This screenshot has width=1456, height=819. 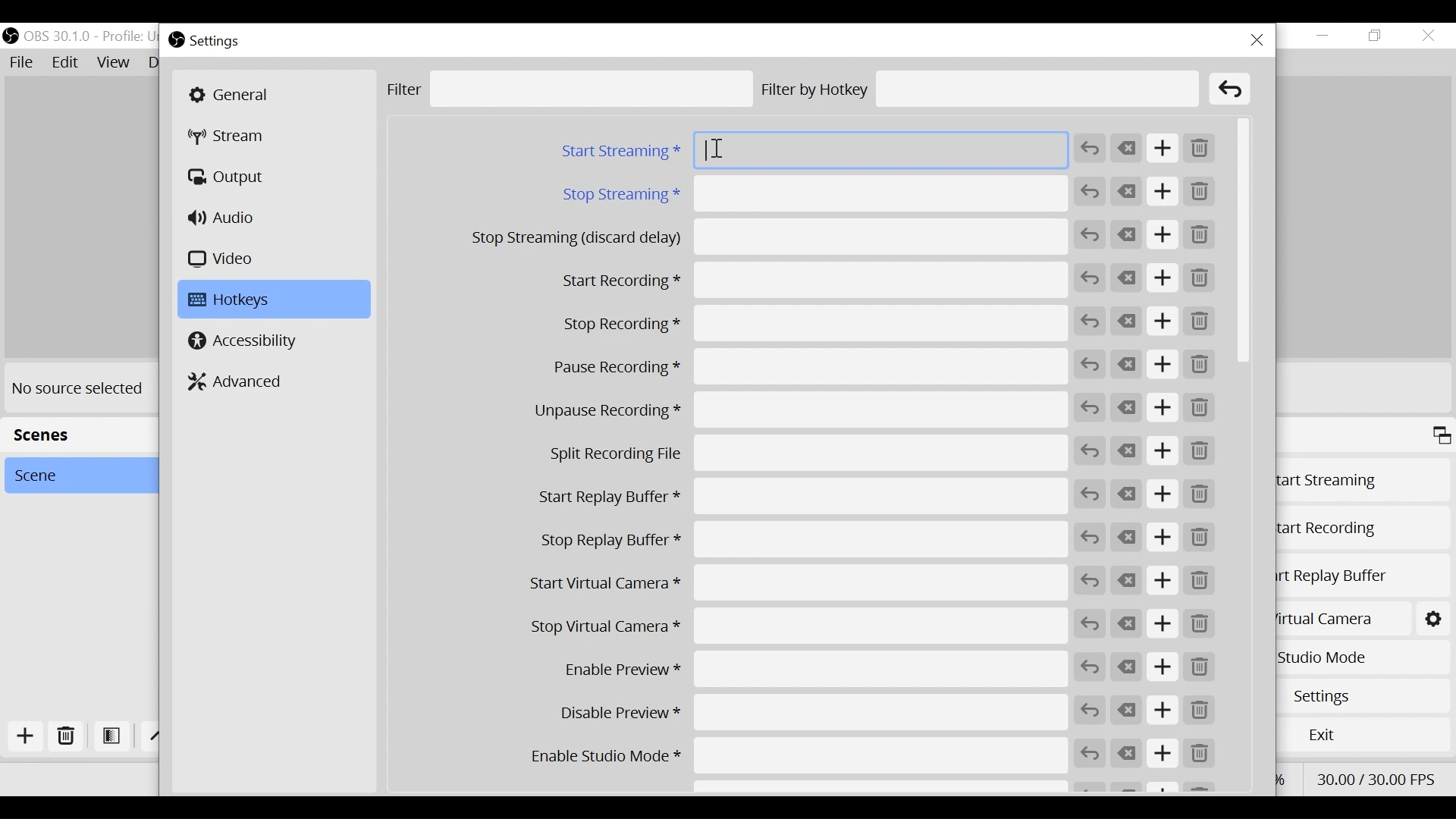 What do you see at coordinates (1163, 625) in the screenshot?
I see `Add` at bounding box center [1163, 625].